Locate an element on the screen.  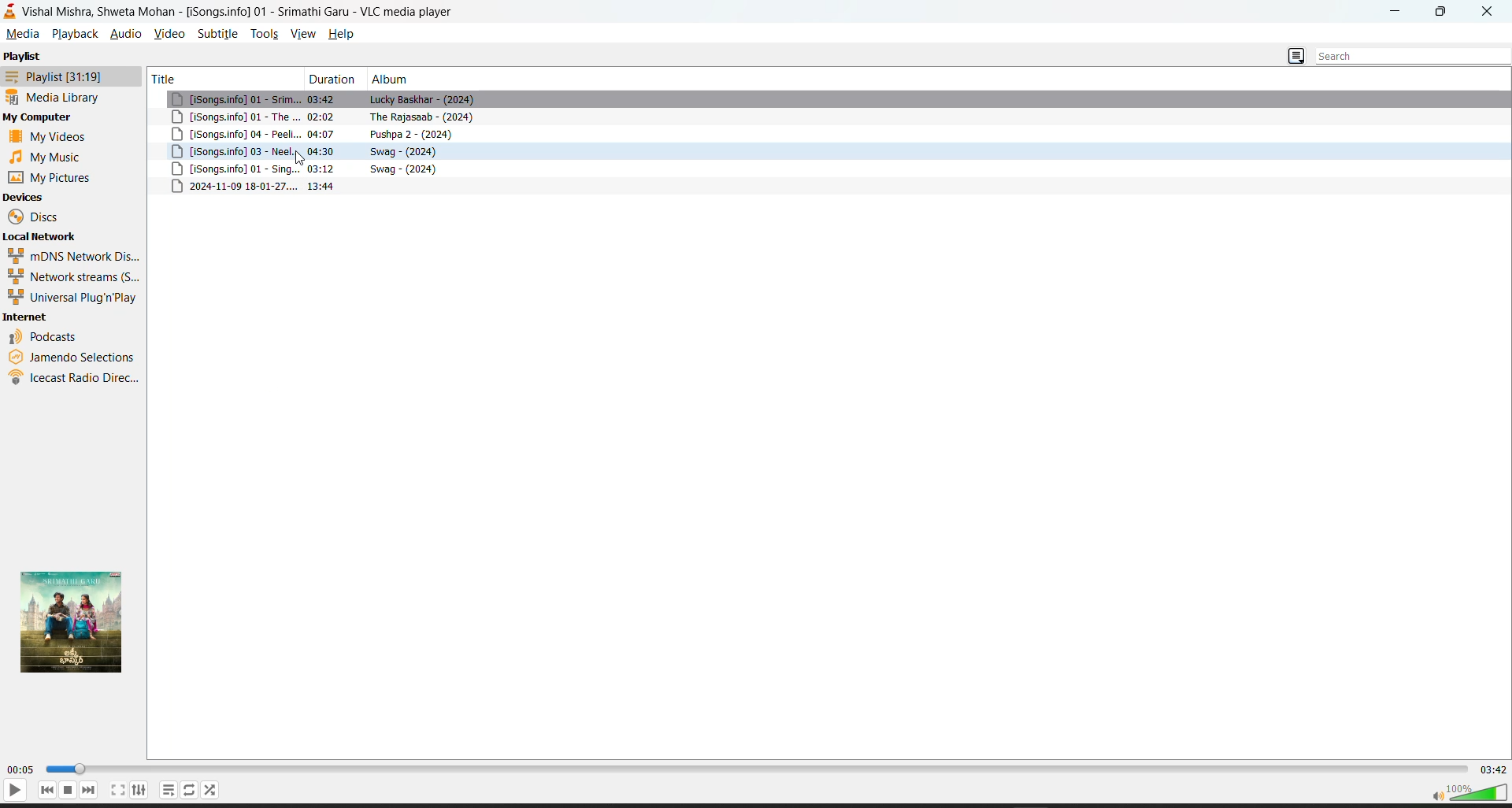
playlist is located at coordinates (190, 789).